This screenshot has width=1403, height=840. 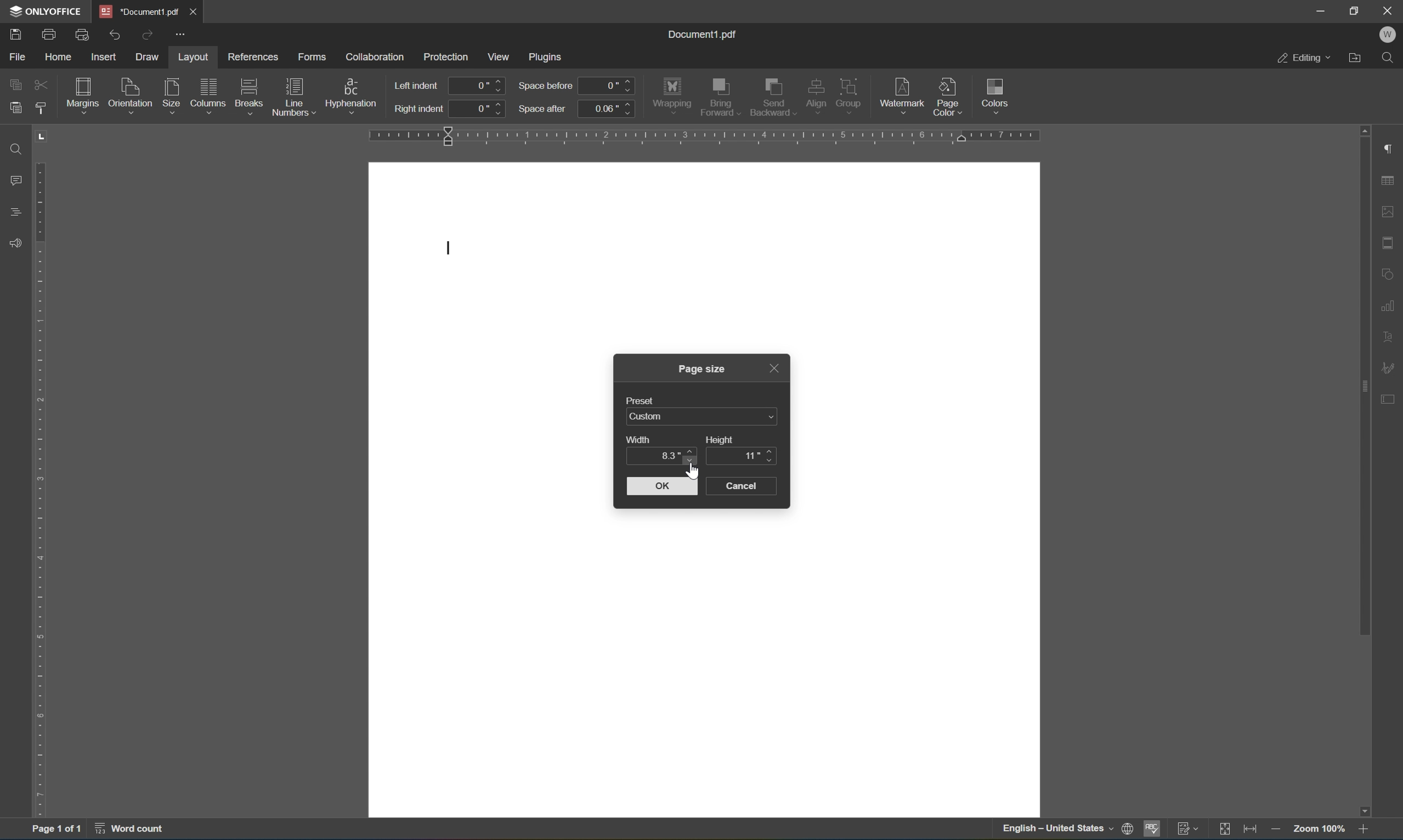 I want to click on wrapping, so click(x=672, y=94).